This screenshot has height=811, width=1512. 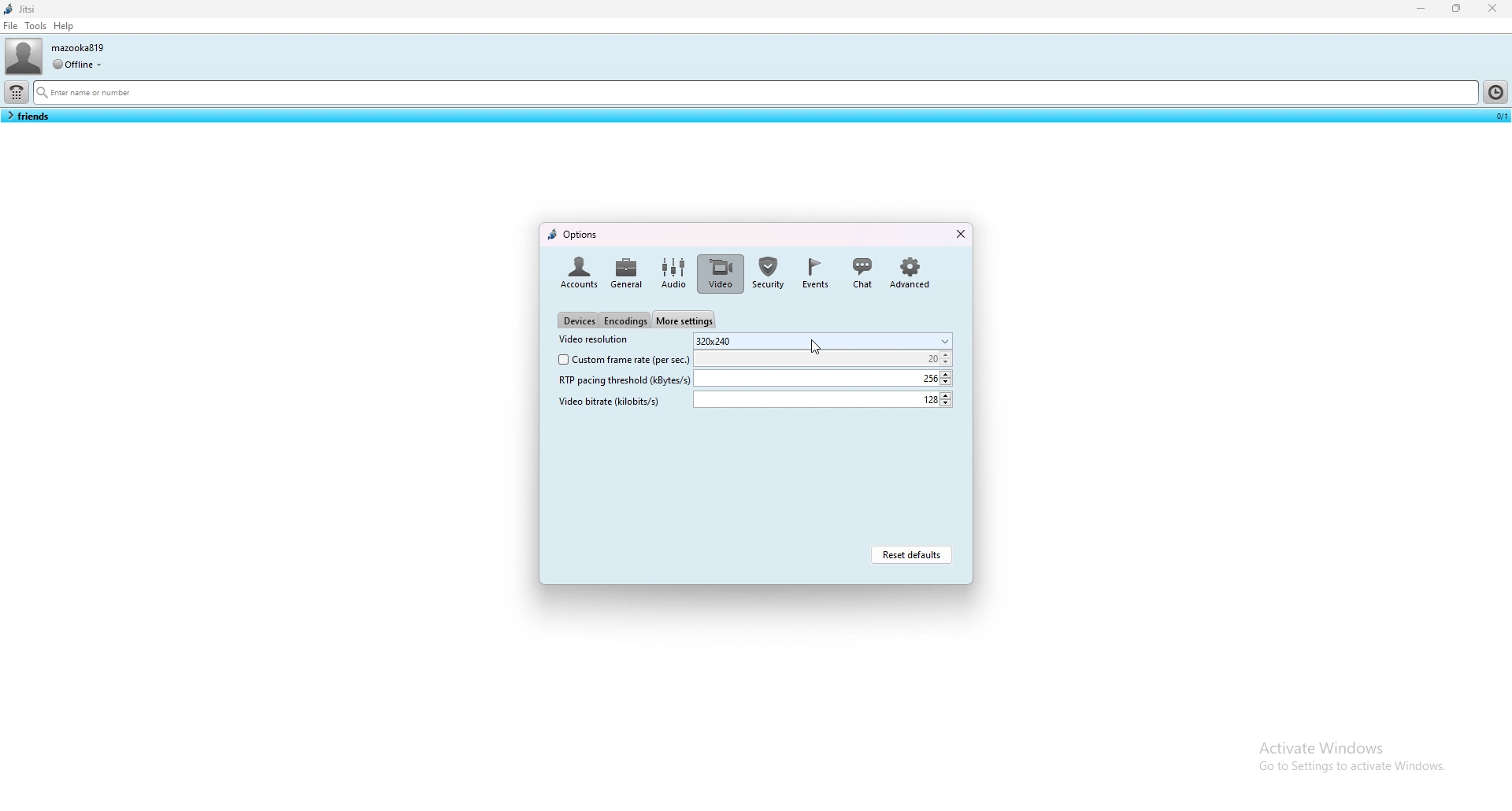 I want to click on Accounts, so click(x=576, y=271).